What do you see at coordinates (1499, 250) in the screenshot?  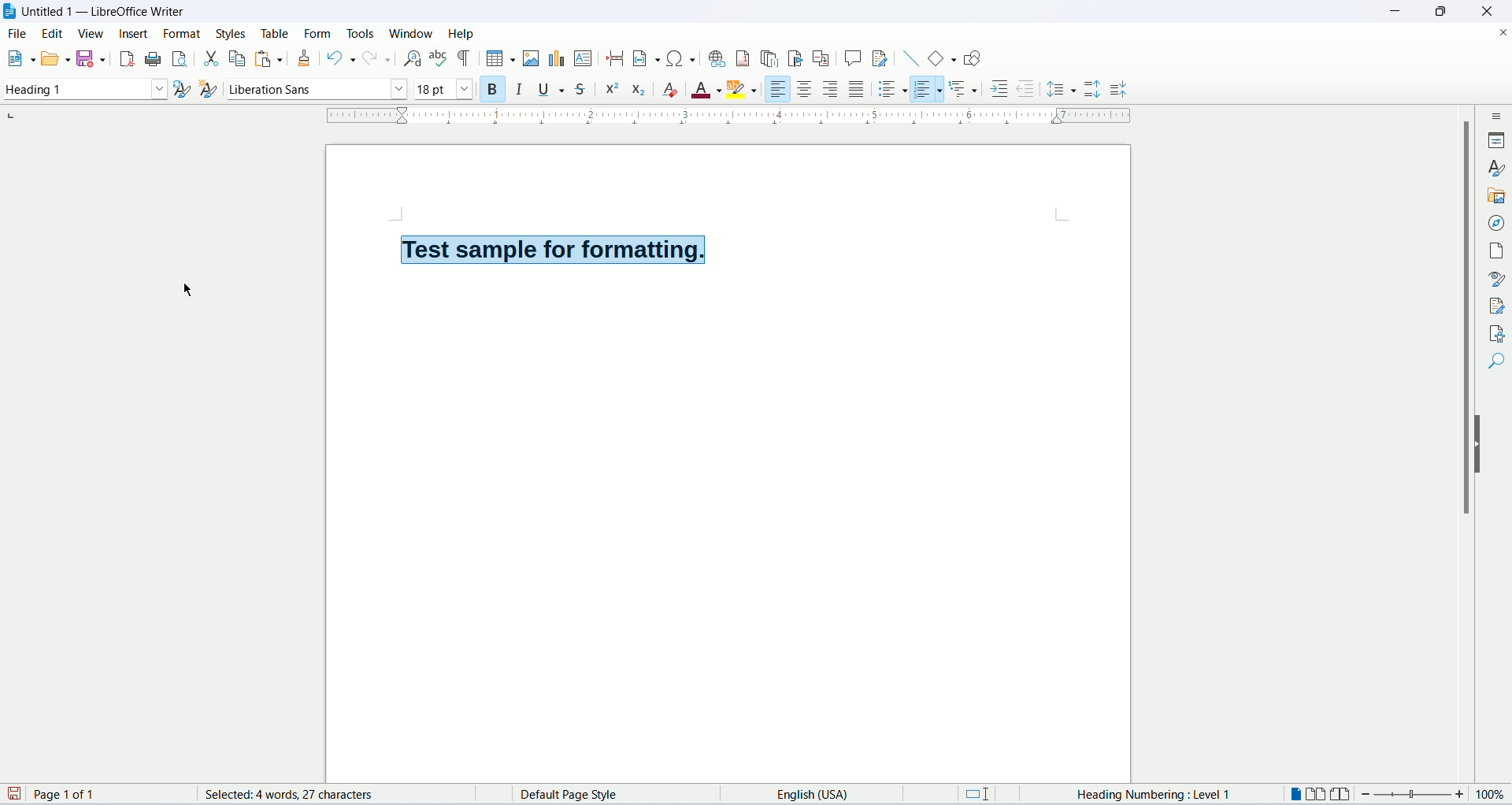 I see `page` at bounding box center [1499, 250].